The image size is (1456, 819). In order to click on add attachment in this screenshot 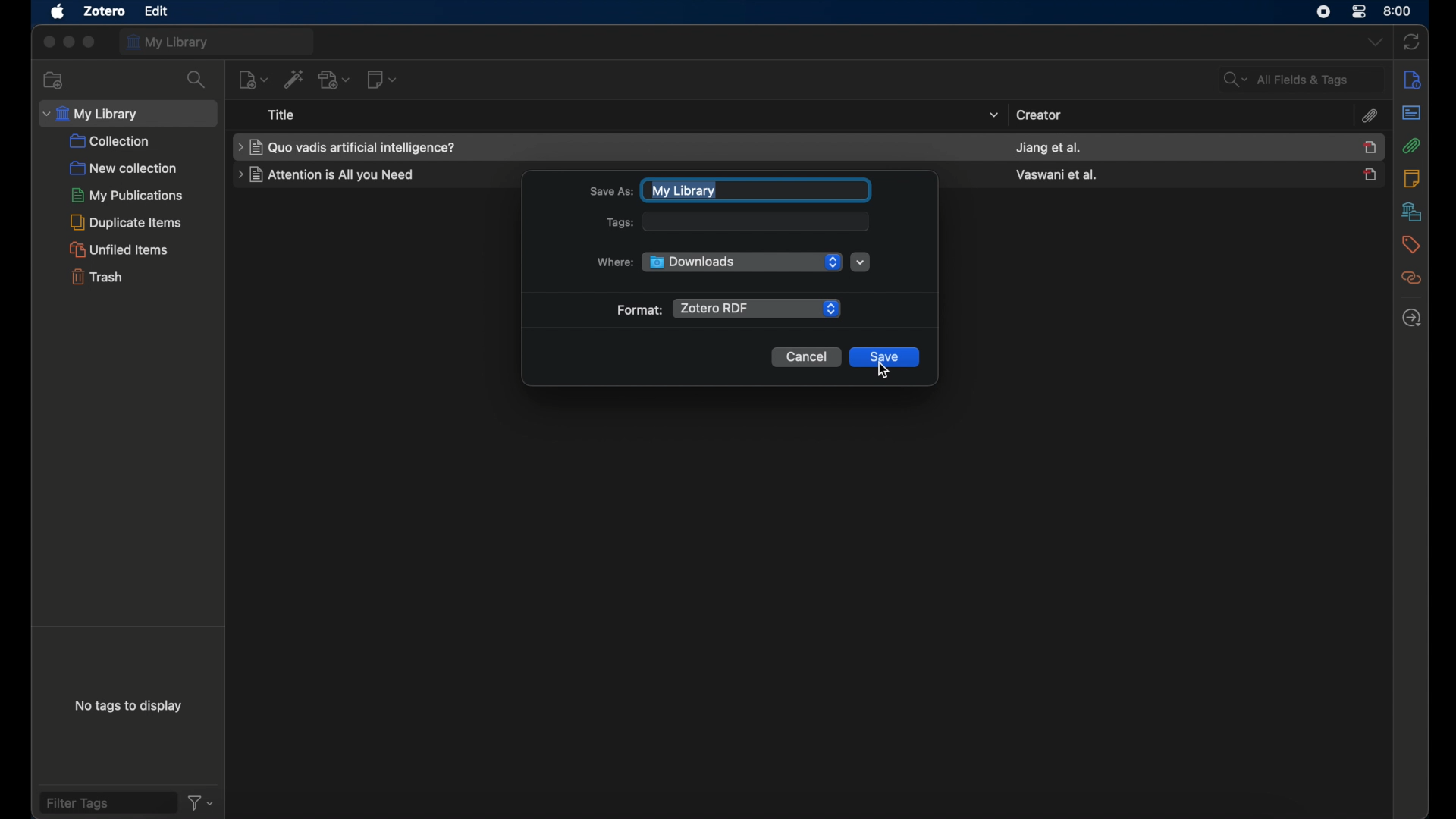, I will do `click(336, 80)`.